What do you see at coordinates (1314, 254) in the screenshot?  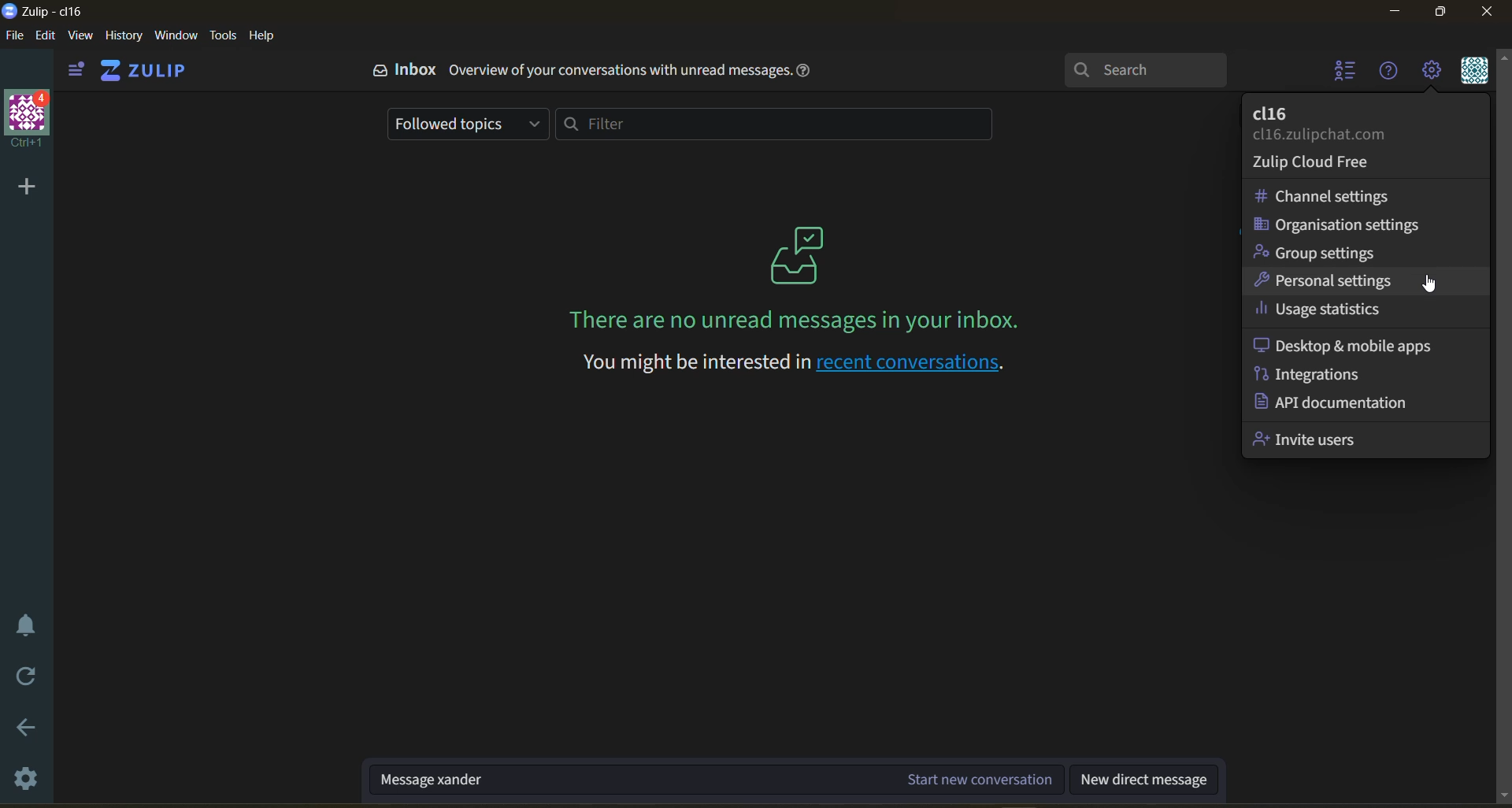 I see `group settings` at bounding box center [1314, 254].